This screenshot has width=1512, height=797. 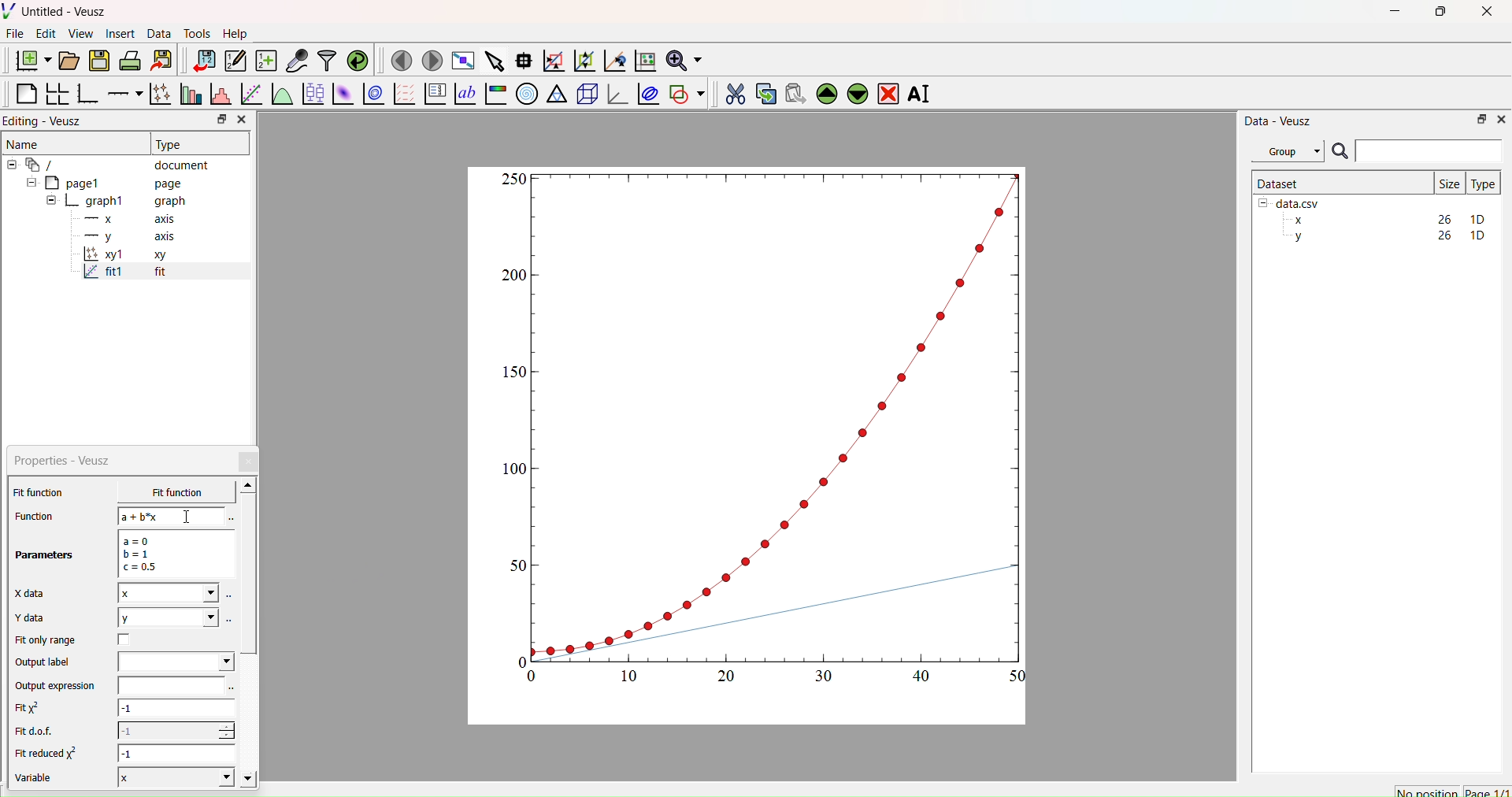 I want to click on Plot box plots, so click(x=313, y=94).